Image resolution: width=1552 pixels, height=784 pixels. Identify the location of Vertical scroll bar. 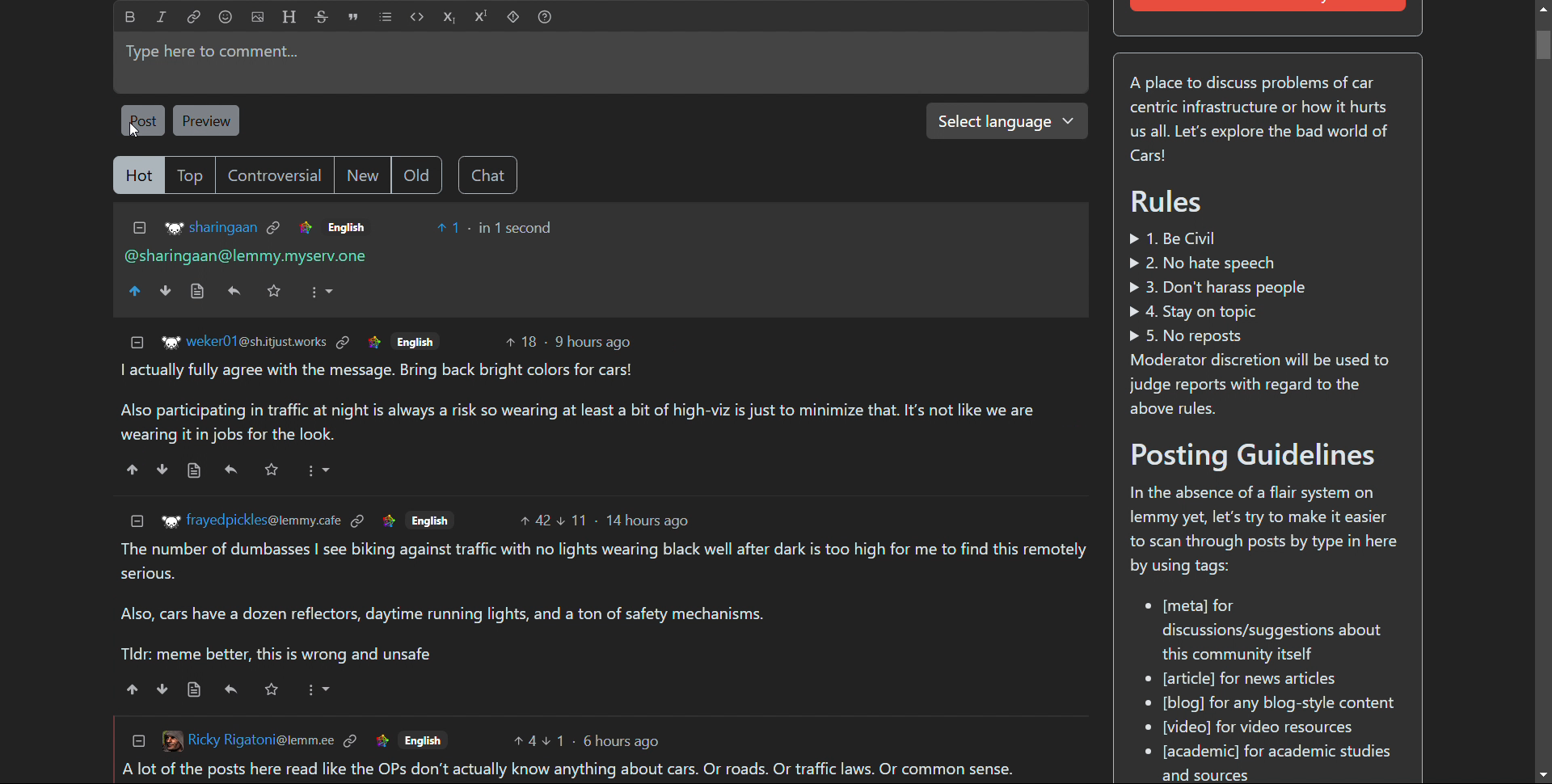
(1542, 45).